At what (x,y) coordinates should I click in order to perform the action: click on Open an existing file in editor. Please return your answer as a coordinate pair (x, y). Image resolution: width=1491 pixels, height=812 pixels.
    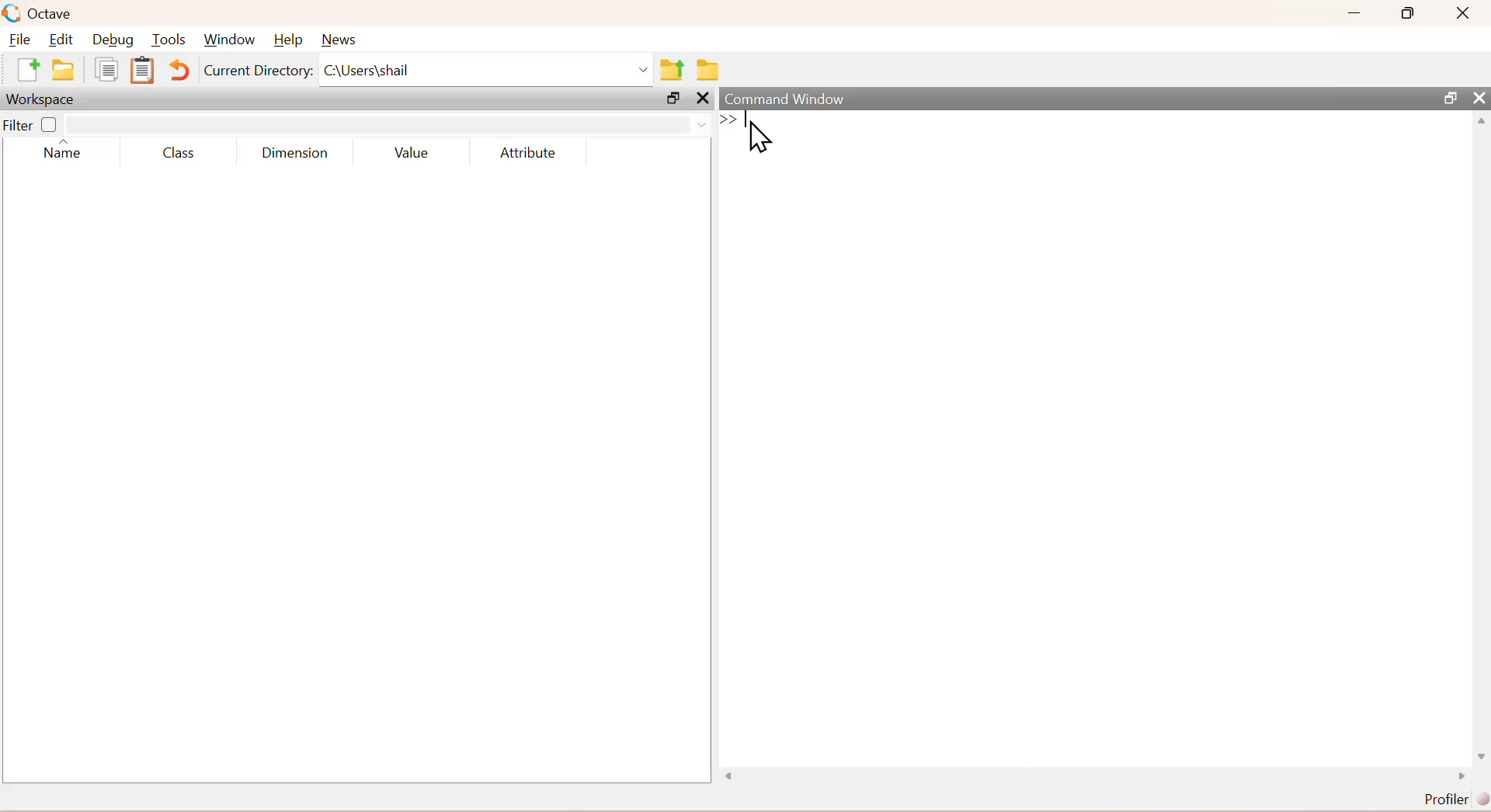
    Looking at the image, I should click on (65, 72).